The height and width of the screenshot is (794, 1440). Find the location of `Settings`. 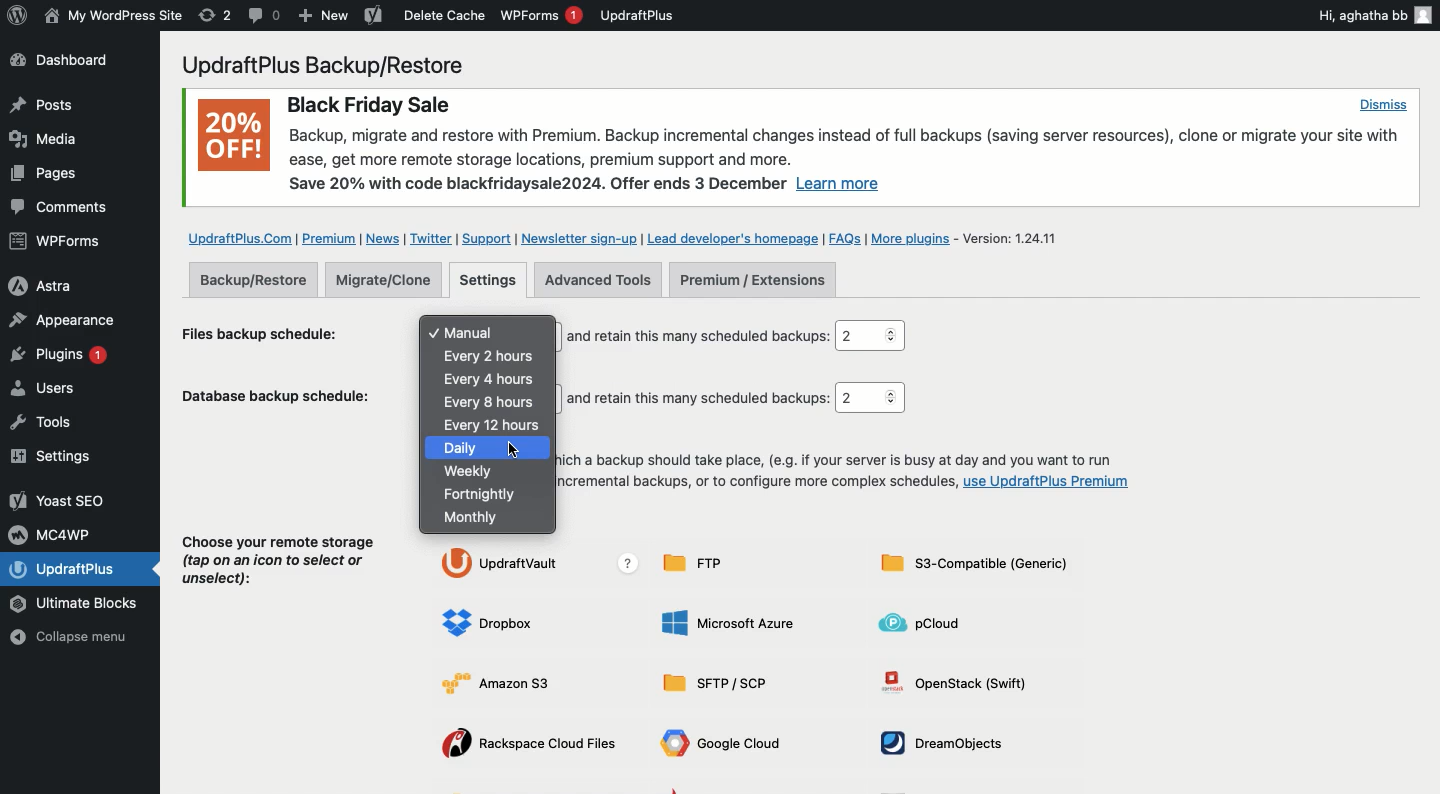

Settings is located at coordinates (57, 457).